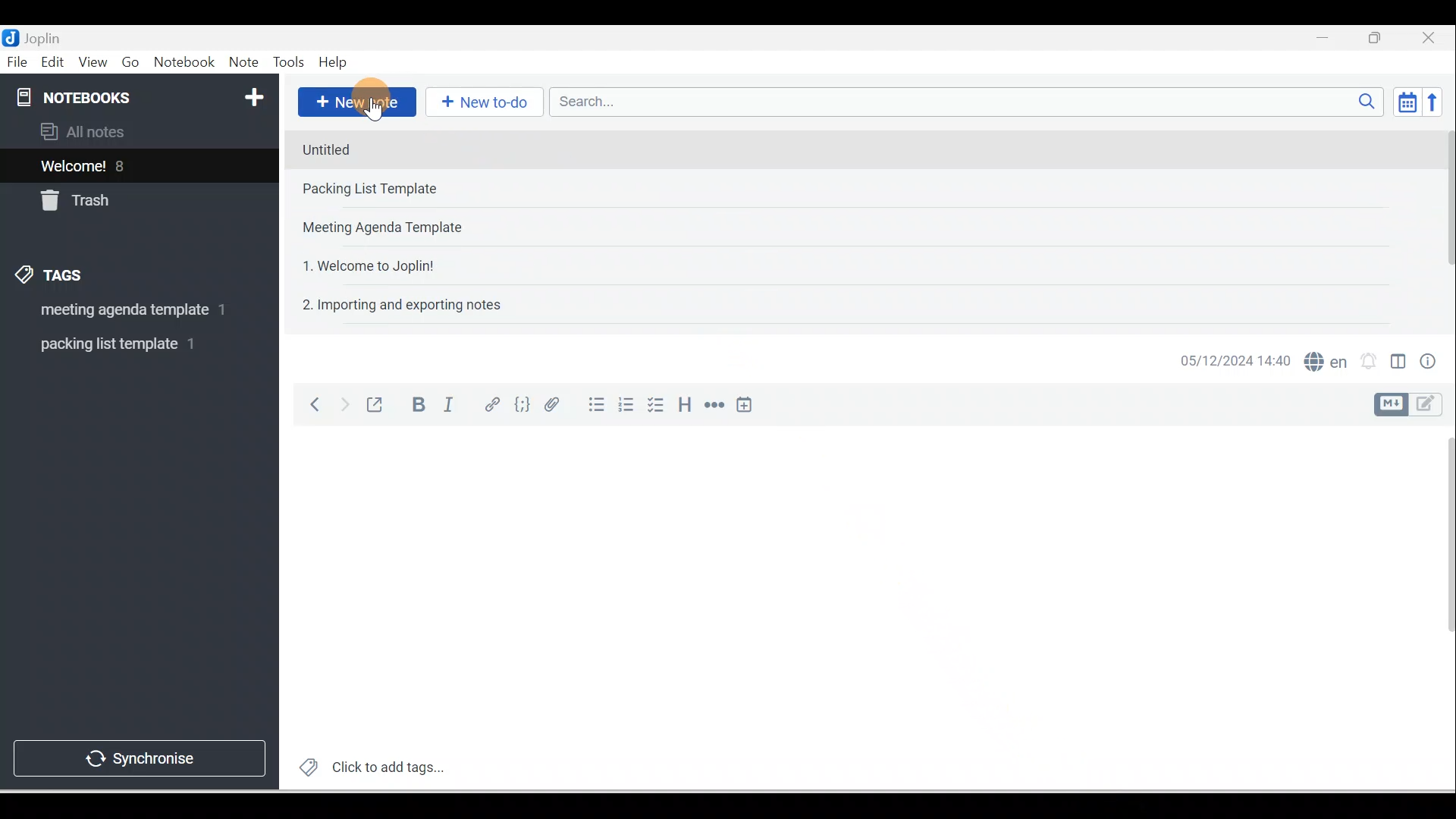 Image resolution: width=1456 pixels, height=819 pixels. What do you see at coordinates (1429, 363) in the screenshot?
I see `Note properties` at bounding box center [1429, 363].